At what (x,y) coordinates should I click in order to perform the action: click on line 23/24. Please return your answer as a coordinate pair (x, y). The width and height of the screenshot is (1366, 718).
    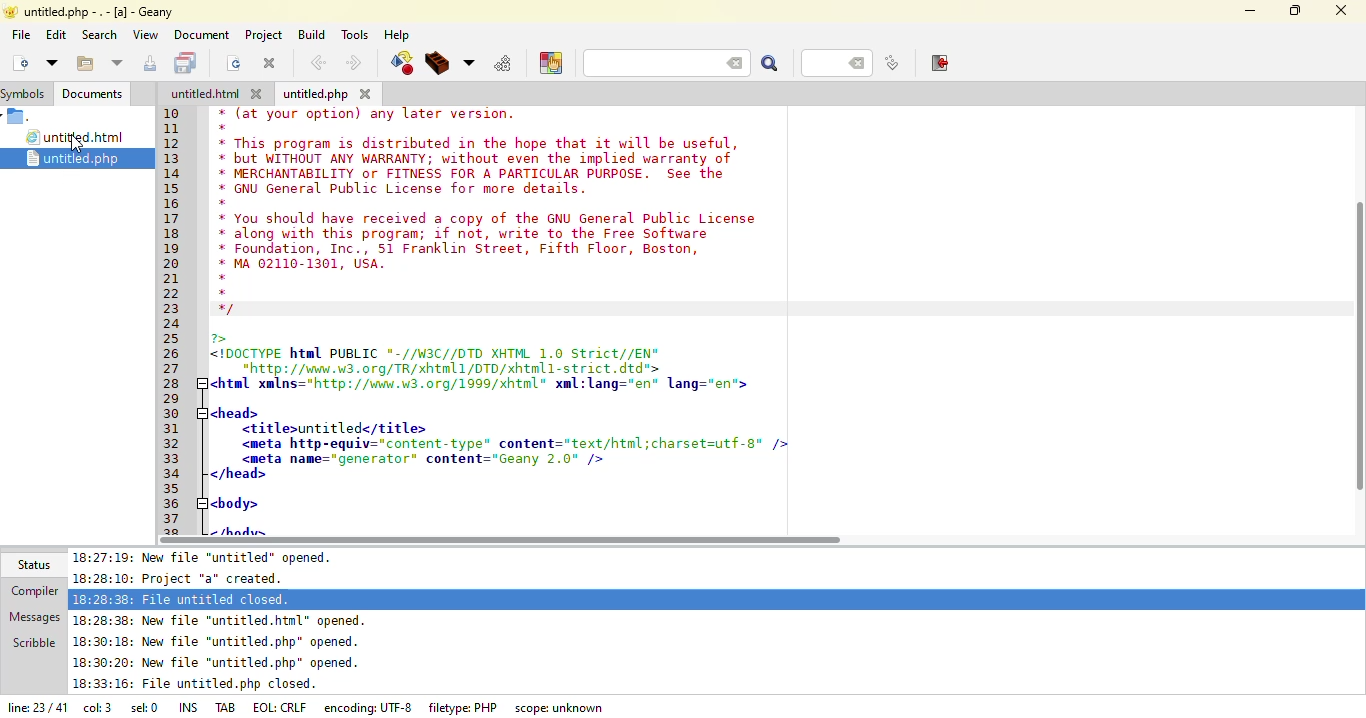
    Looking at the image, I should click on (34, 708).